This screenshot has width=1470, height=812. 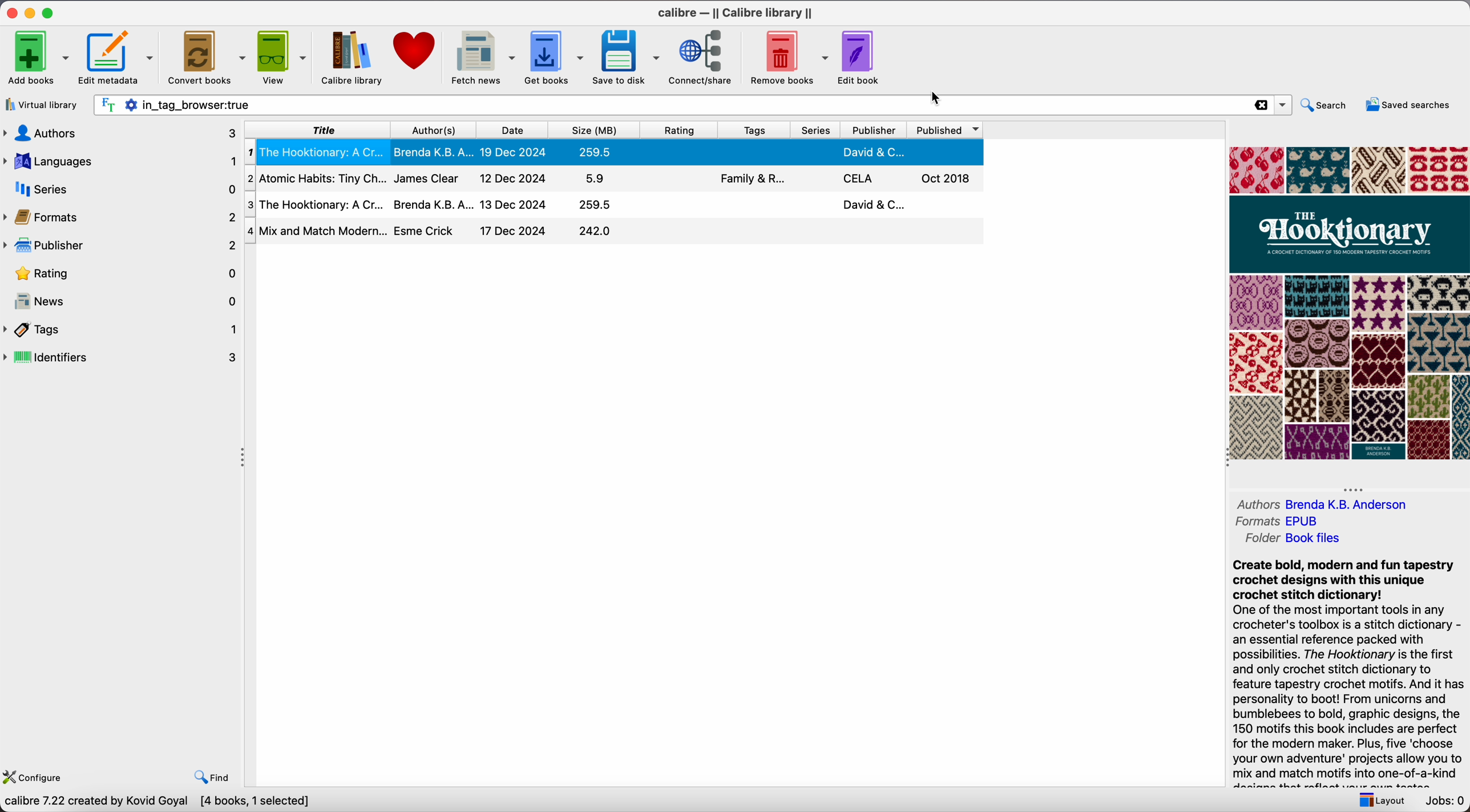 I want to click on view, so click(x=281, y=58).